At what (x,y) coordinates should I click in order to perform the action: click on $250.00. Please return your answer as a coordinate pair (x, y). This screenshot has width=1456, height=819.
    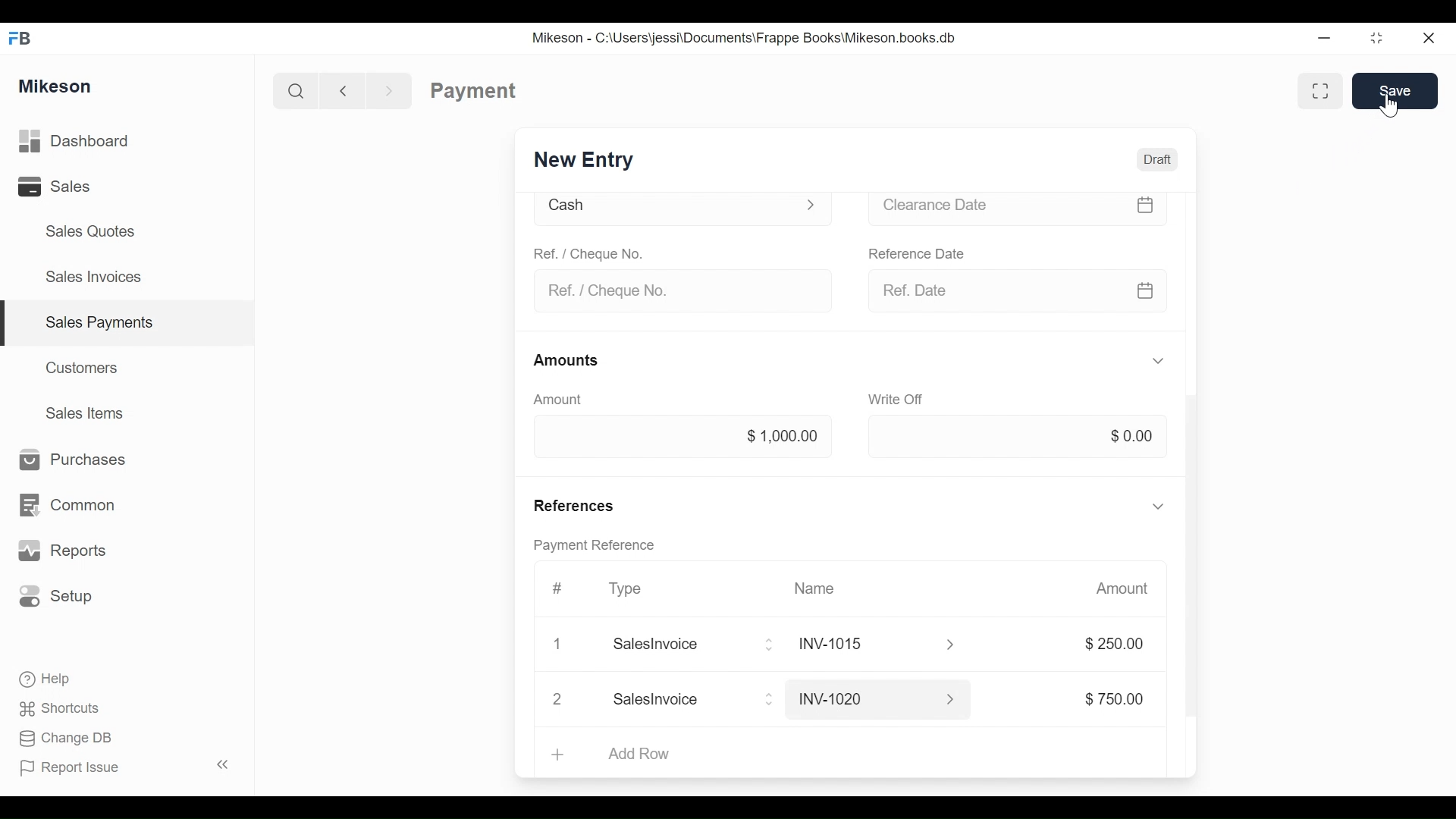
    Looking at the image, I should click on (1115, 645).